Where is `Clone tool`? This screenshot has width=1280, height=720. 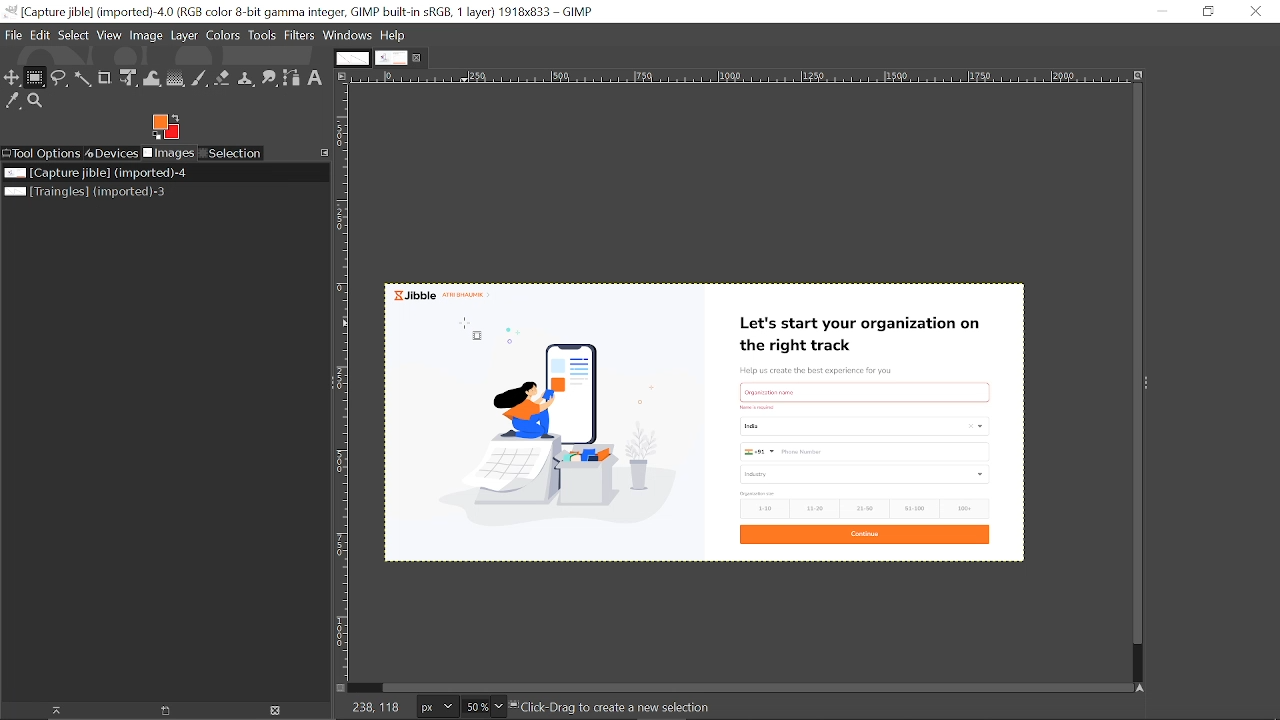
Clone tool is located at coordinates (244, 78).